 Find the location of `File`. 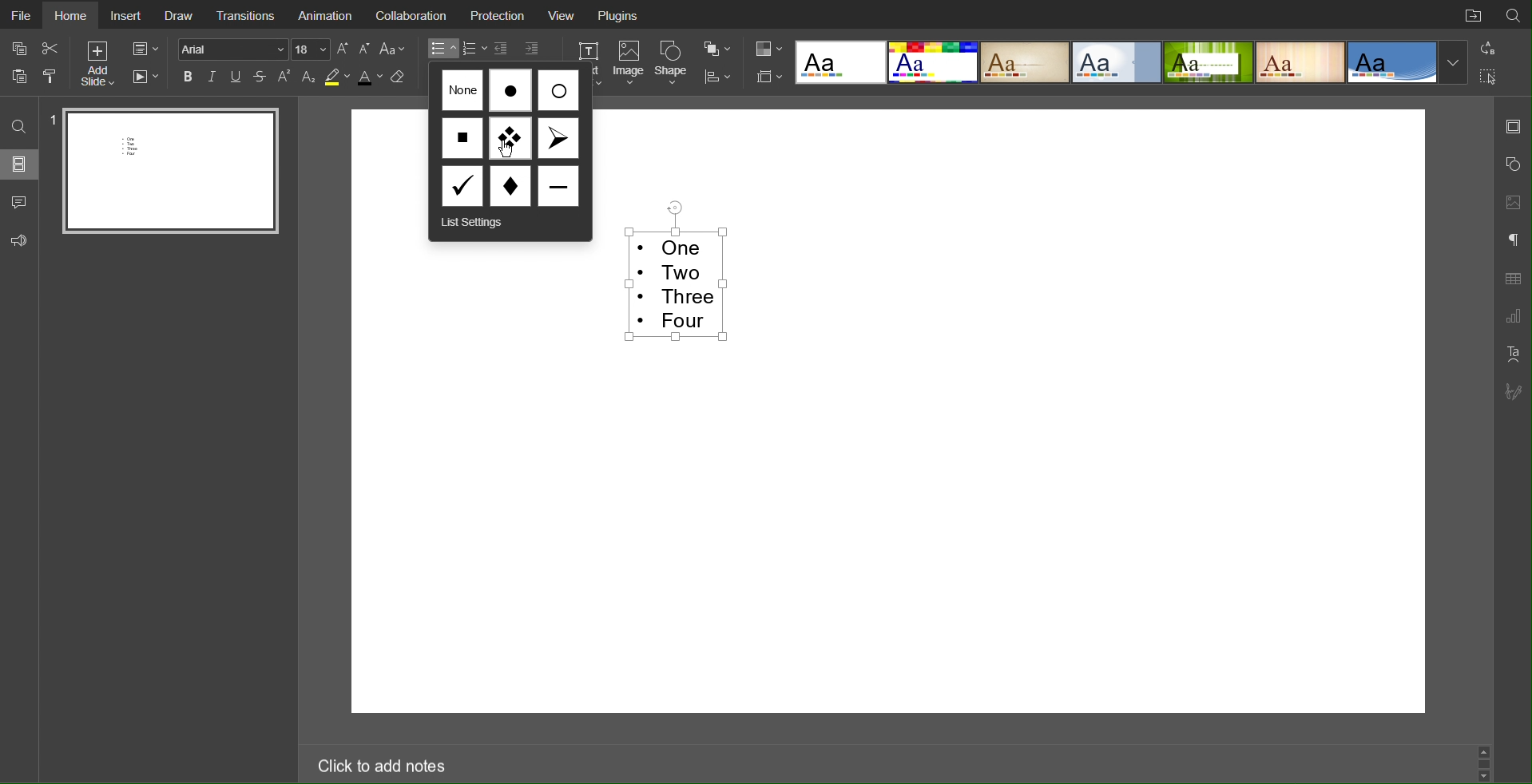

File is located at coordinates (21, 14).